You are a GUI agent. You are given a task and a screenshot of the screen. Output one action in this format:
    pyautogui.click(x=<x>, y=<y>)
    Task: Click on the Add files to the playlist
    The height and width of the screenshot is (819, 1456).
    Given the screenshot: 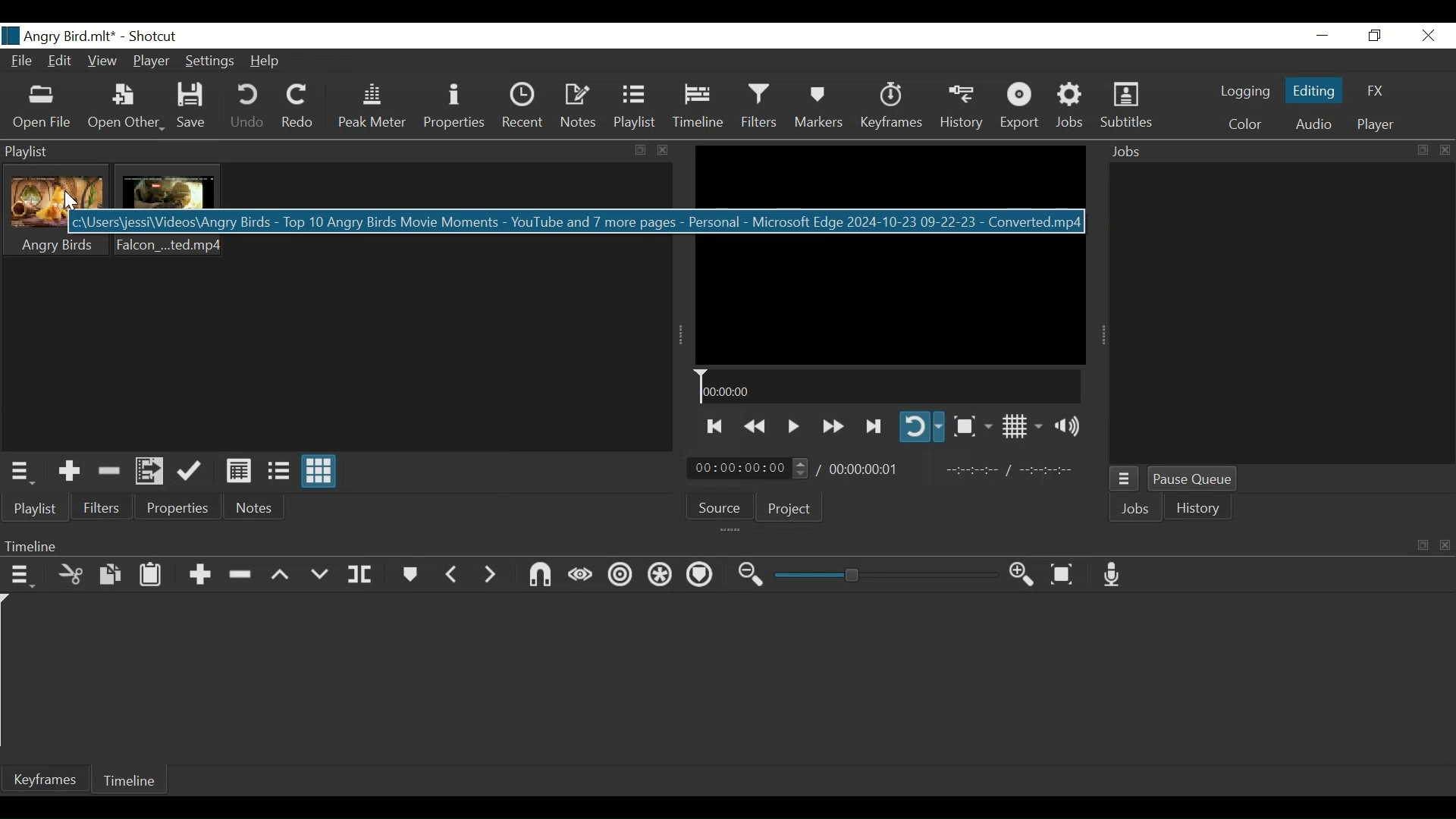 What is the action you would take?
    pyautogui.click(x=151, y=472)
    